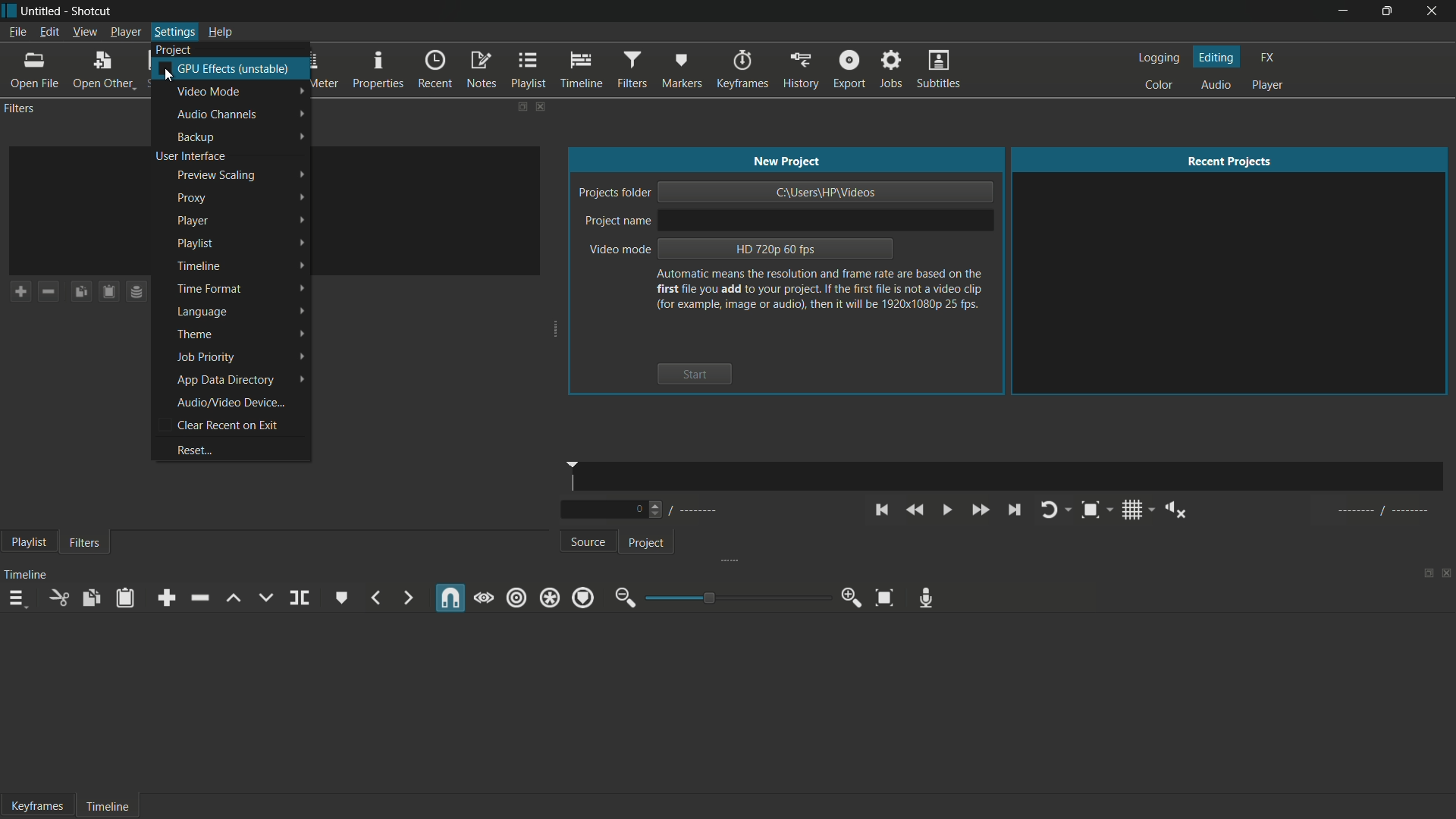 This screenshot has width=1456, height=819. What do you see at coordinates (540, 106) in the screenshot?
I see `close filters` at bounding box center [540, 106].